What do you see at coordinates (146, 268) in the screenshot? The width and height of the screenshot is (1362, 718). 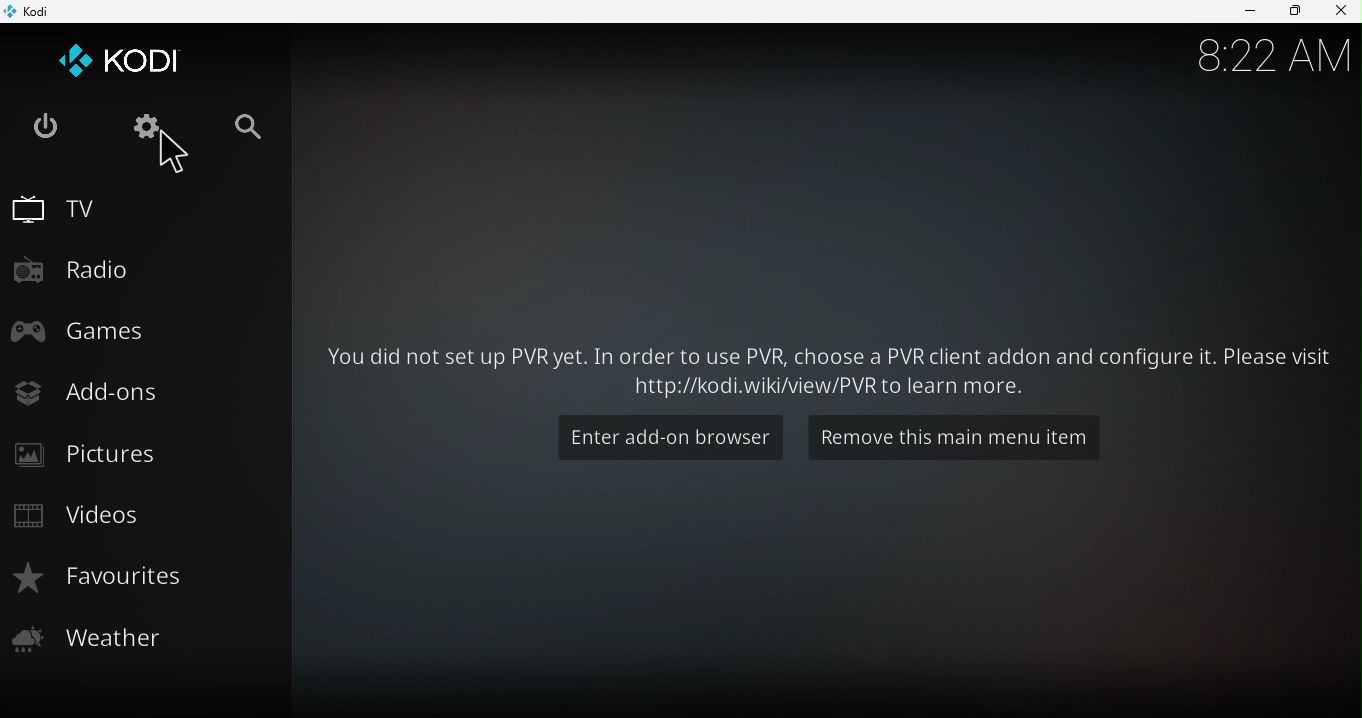 I see `Radio` at bounding box center [146, 268].